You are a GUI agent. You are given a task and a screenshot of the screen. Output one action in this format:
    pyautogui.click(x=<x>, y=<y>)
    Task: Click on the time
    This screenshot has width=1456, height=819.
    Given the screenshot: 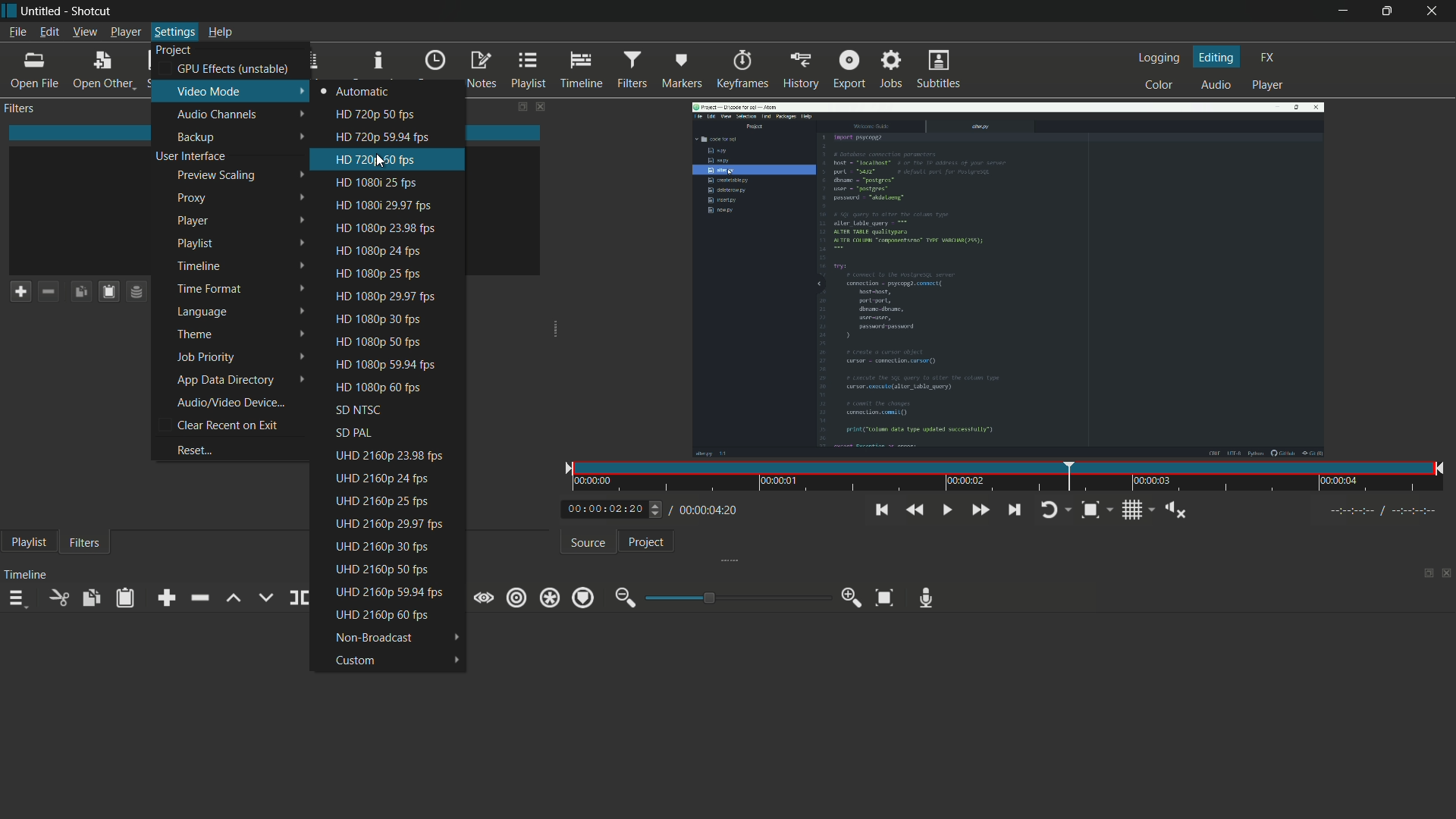 What is the action you would take?
    pyautogui.click(x=1012, y=476)
    